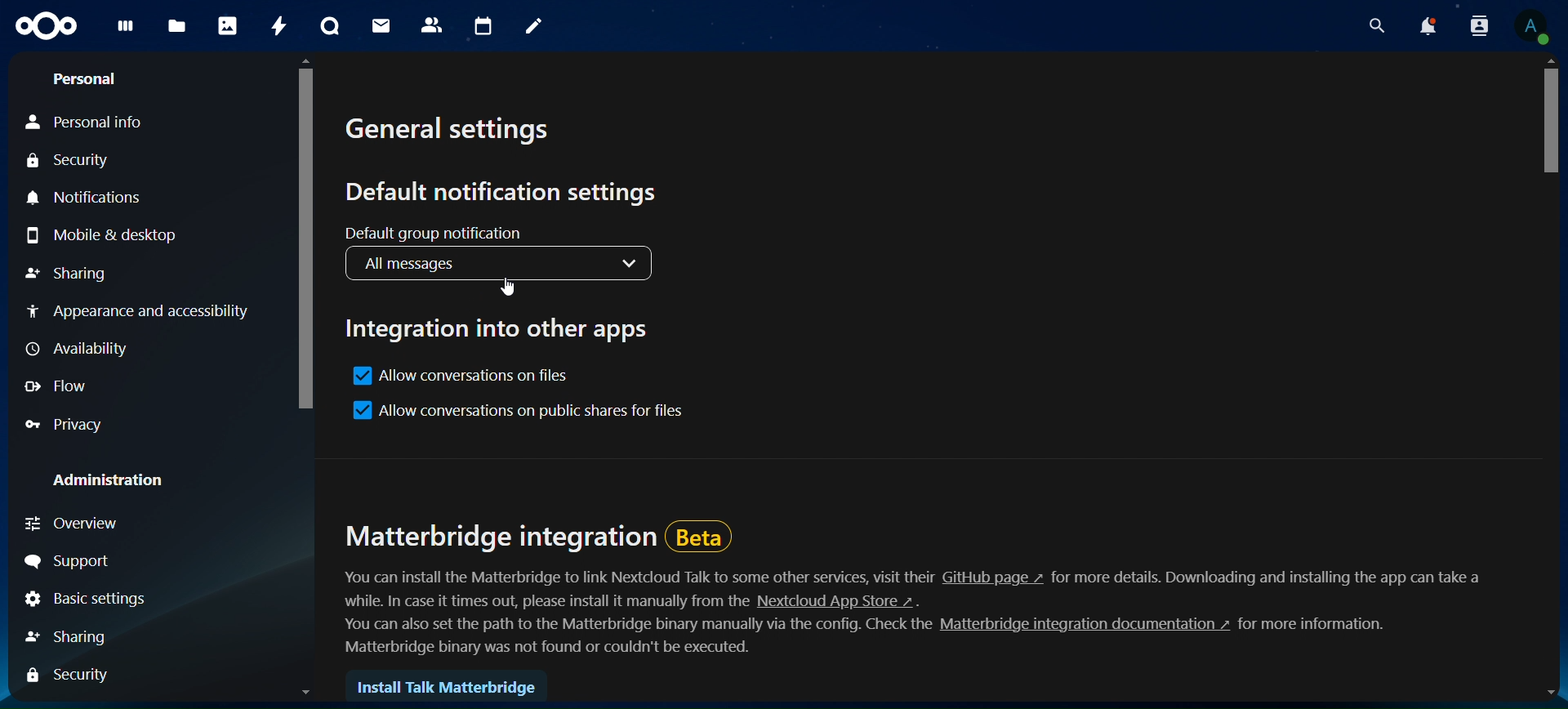 The height and width of the screenshot is (709, 1568). Describe the element at coordinates (1535, 25) in the screenshot. I see `view profile` at that location.